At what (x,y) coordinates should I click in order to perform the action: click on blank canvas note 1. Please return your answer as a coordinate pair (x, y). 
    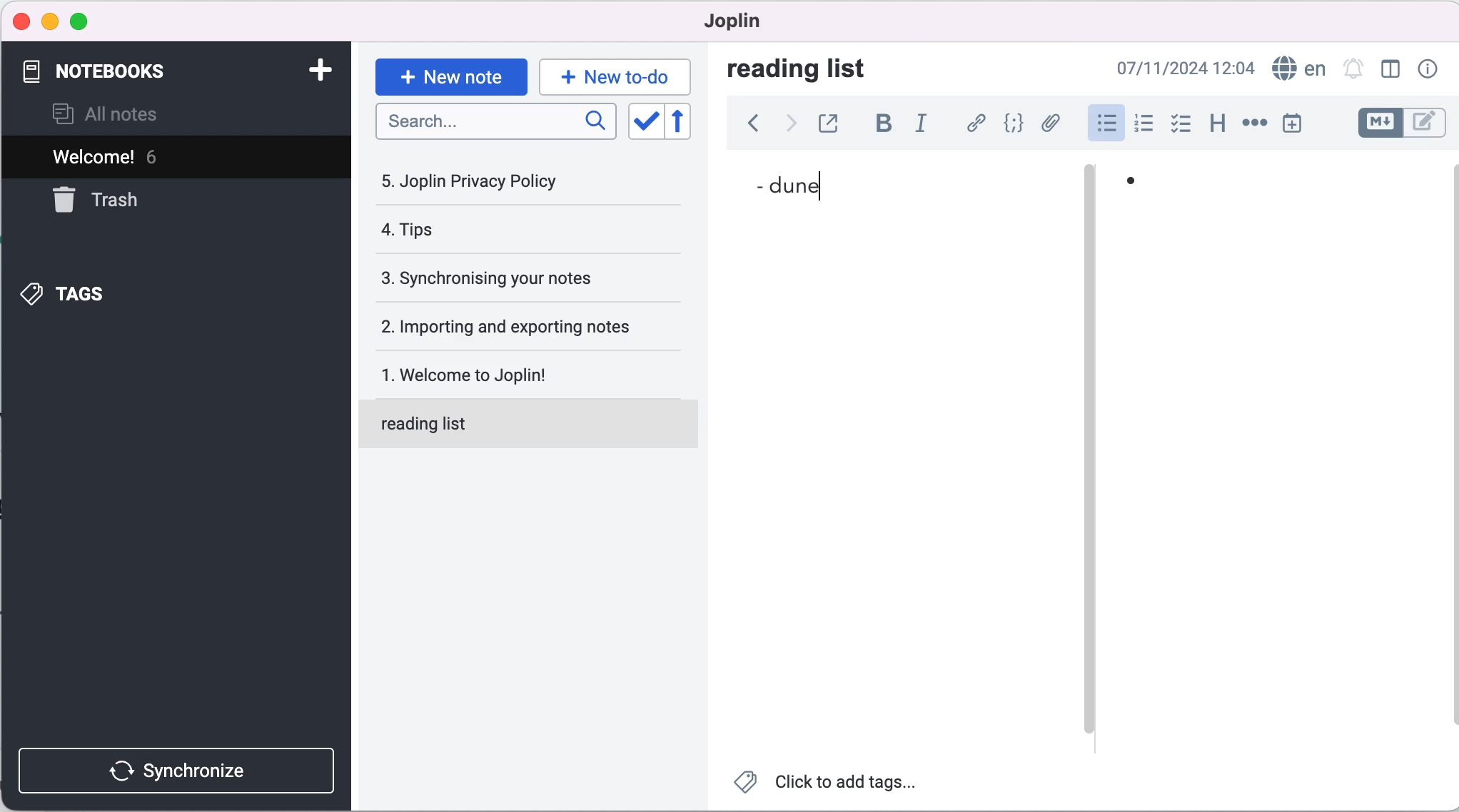
    Looking at the image, I should click on (893, 489).